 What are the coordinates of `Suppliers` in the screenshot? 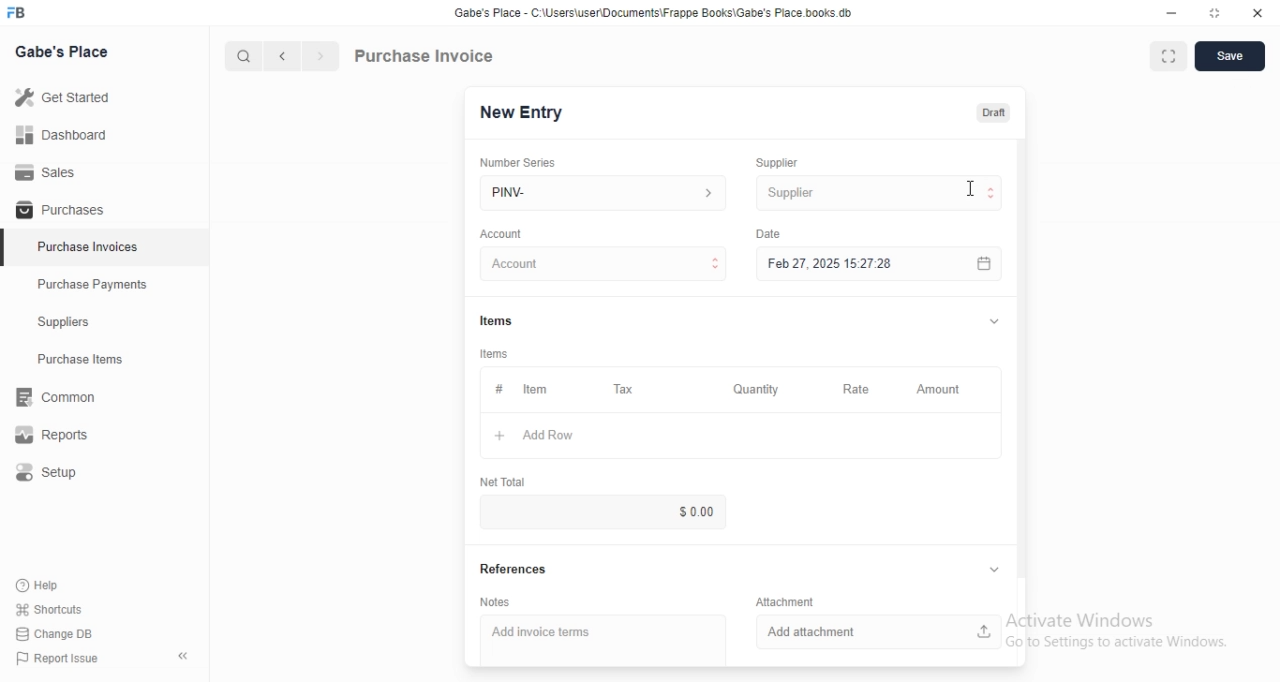 It's located at (104, 321).